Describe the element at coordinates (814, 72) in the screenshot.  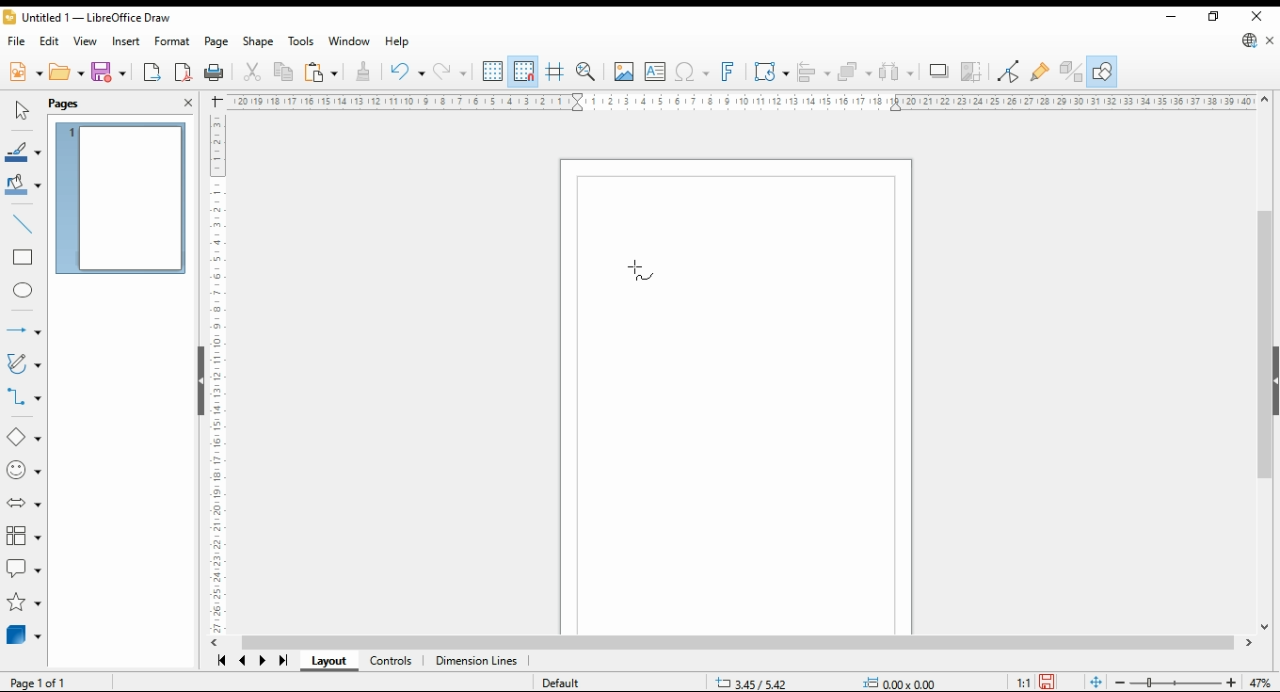
I see `align objects` at that location.